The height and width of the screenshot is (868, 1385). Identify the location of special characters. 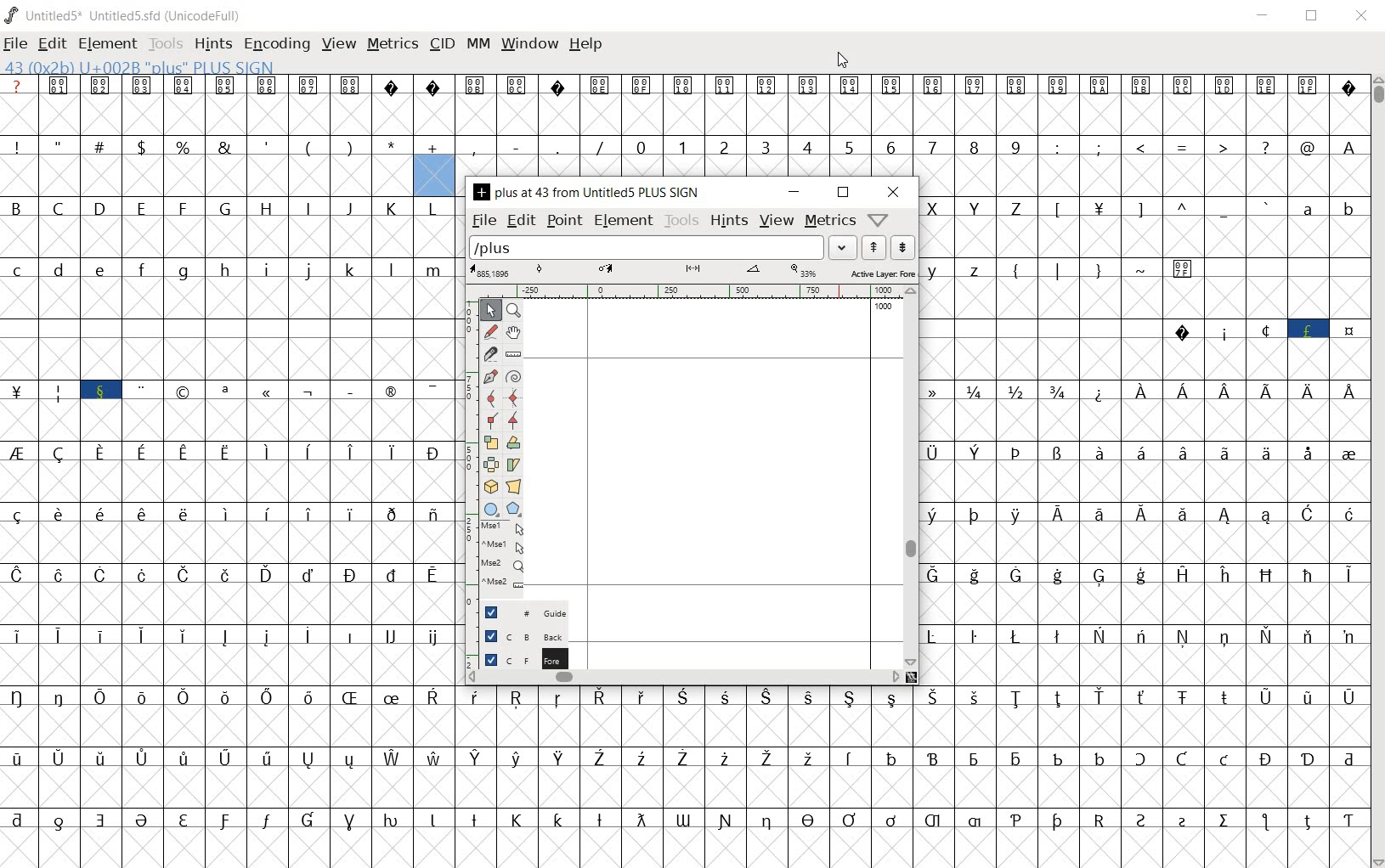
(205, 167).